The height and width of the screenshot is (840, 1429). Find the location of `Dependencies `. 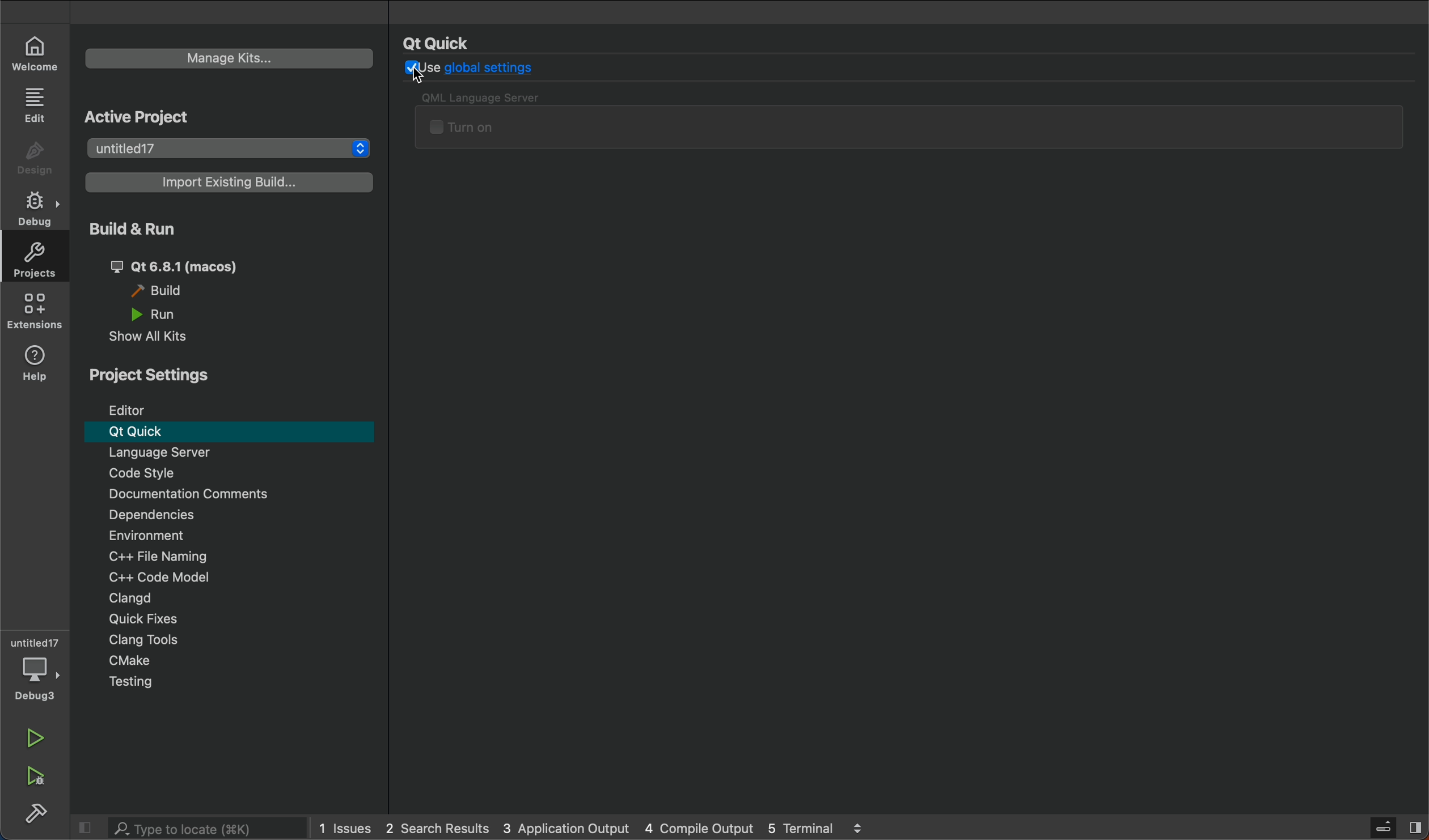

Dependencies  is located at coordinates (241, 516).